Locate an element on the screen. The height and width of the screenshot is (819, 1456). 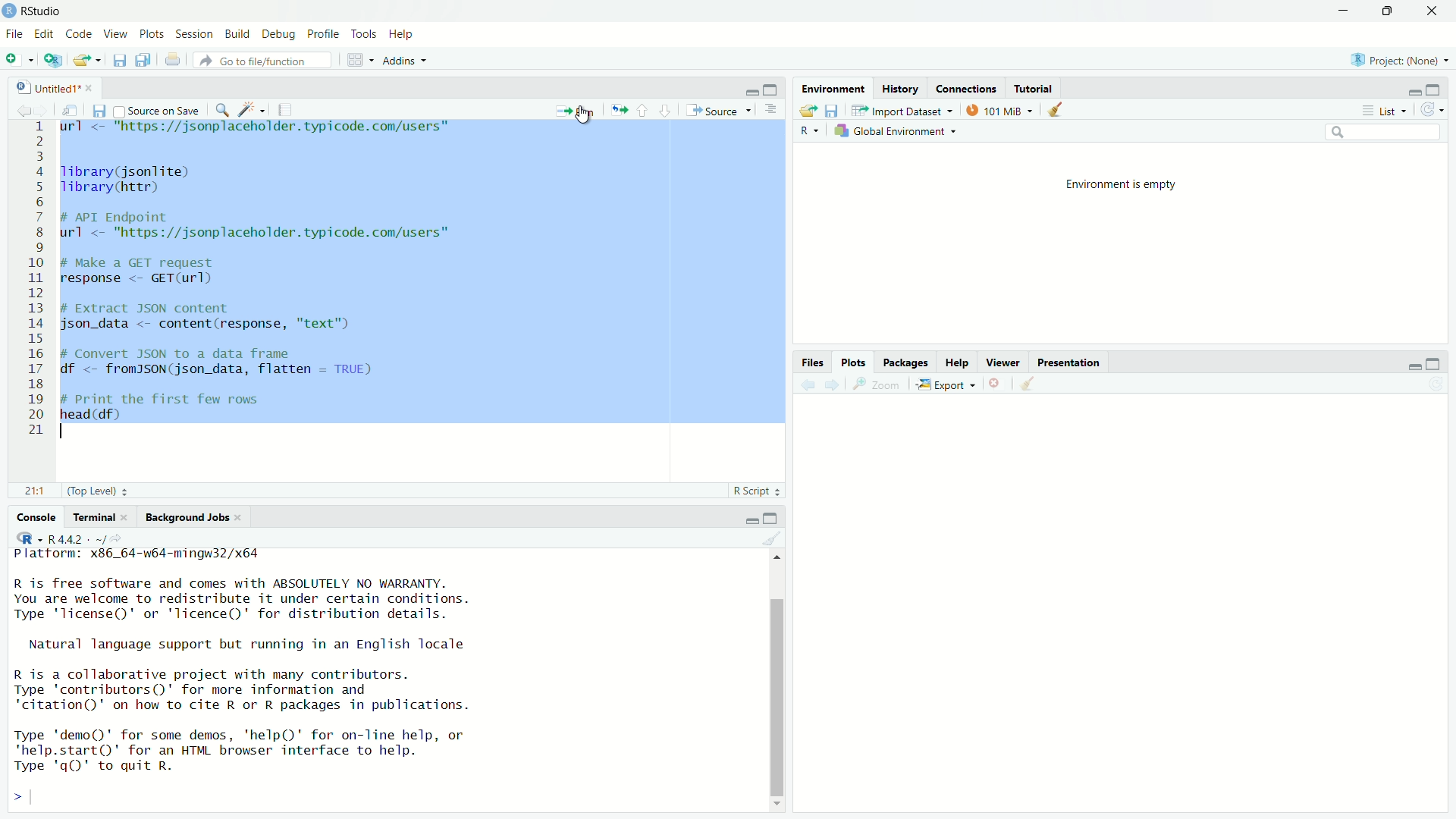
Print is located at coordinates (174, 60).